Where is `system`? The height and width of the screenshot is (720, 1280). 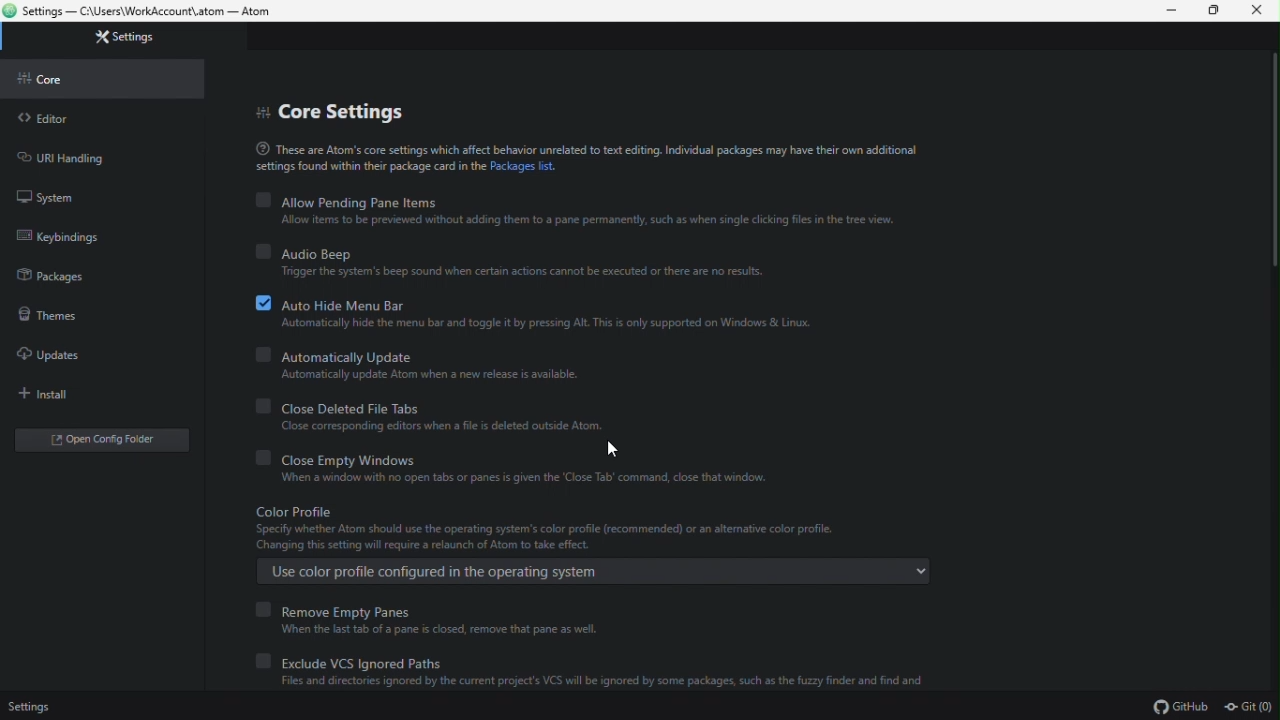
system is located at coordinates (74, 194).